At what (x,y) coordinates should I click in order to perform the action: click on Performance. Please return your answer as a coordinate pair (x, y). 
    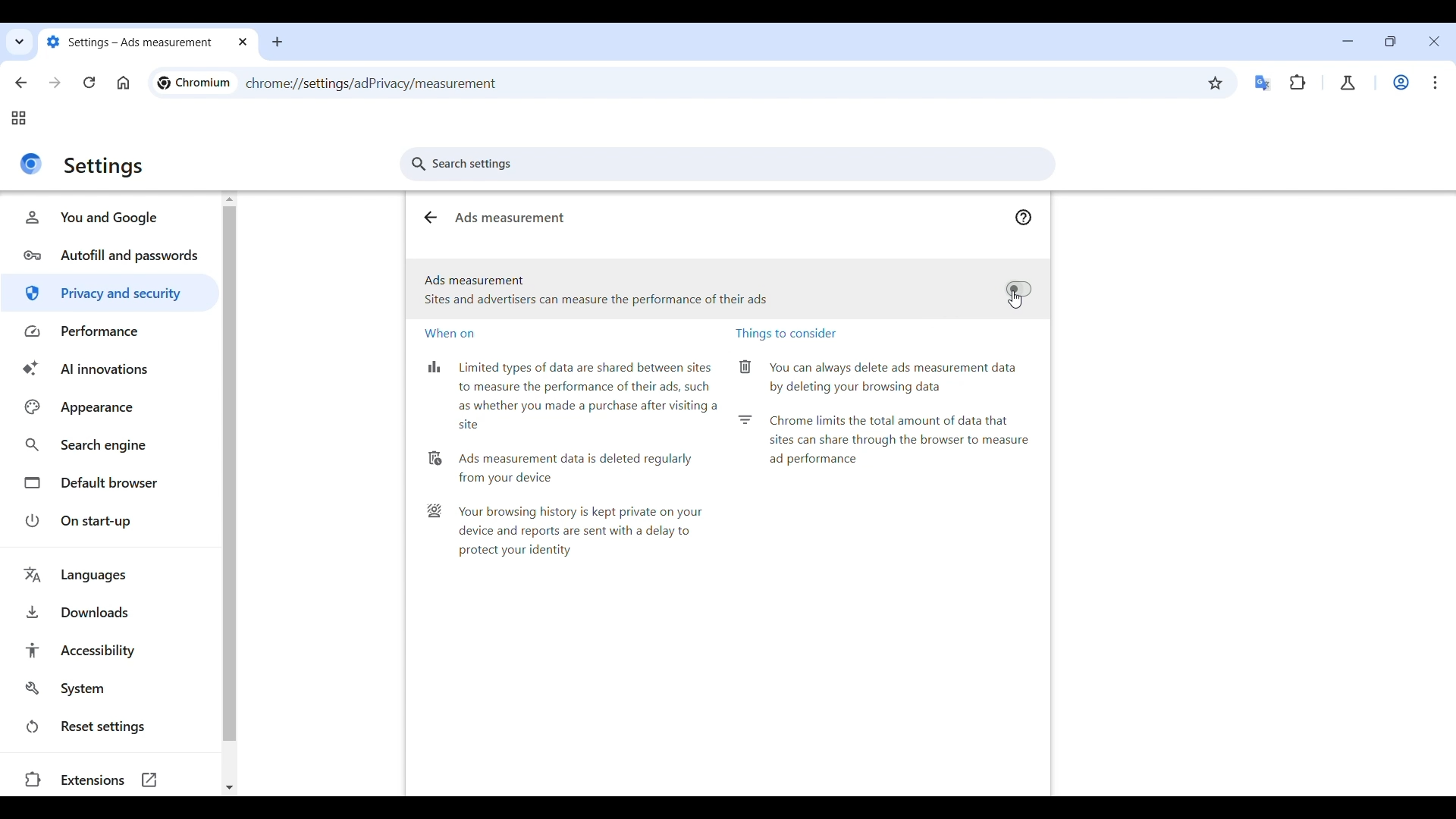
    Looking at the image, I should click on (111, 332).